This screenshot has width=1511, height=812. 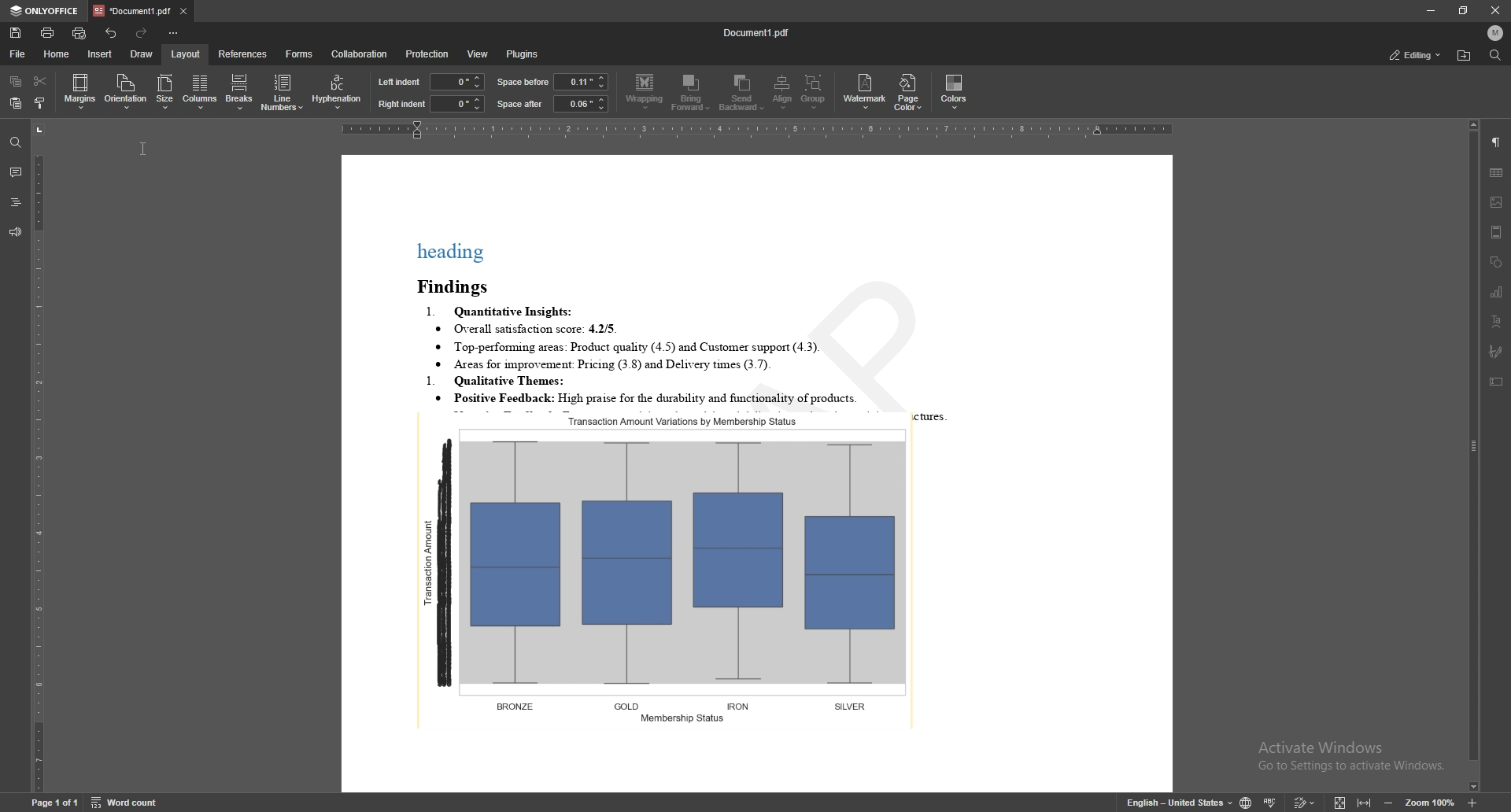 I want to click on draw, so click(x=142, y=54).